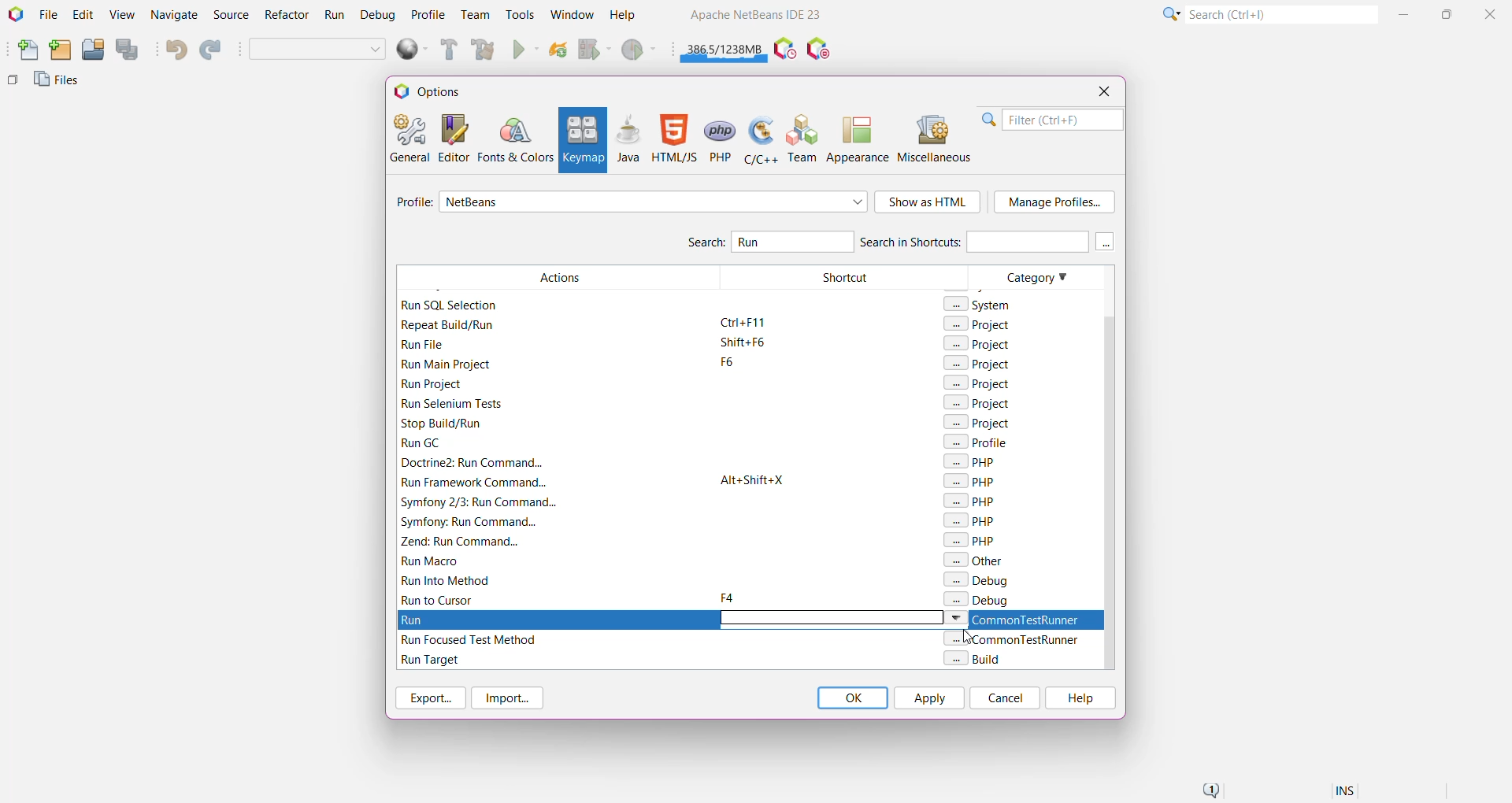 Image resolution: width=1512 pixels, height=803 pixels. What do you see at coordinates (1032, 436) in the screenshot?
I see `Category` at bounding box center [1032, 436].